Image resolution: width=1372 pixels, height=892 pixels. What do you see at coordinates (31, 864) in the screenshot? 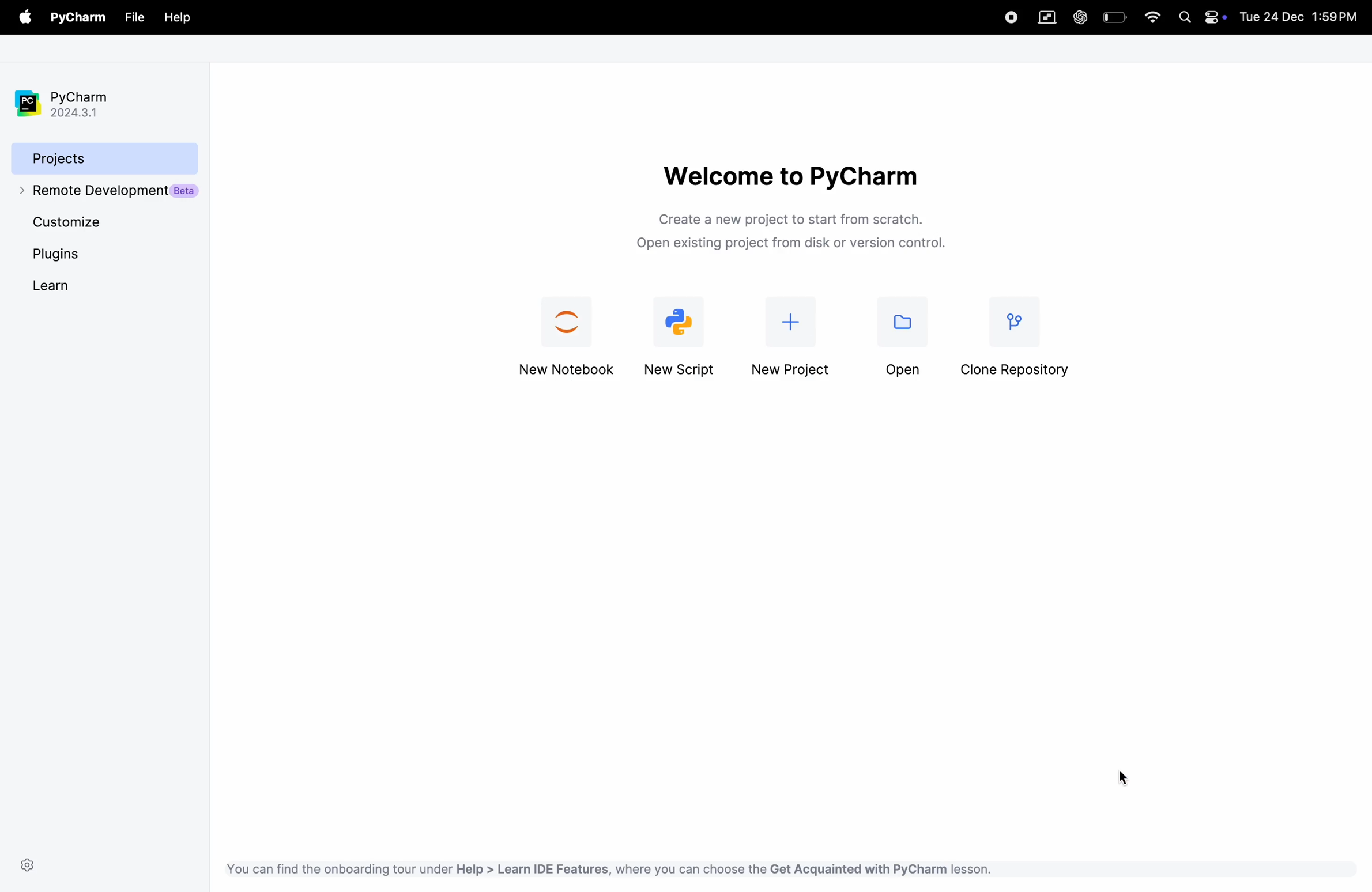
I see `settings` at bounding box center [31, 864].